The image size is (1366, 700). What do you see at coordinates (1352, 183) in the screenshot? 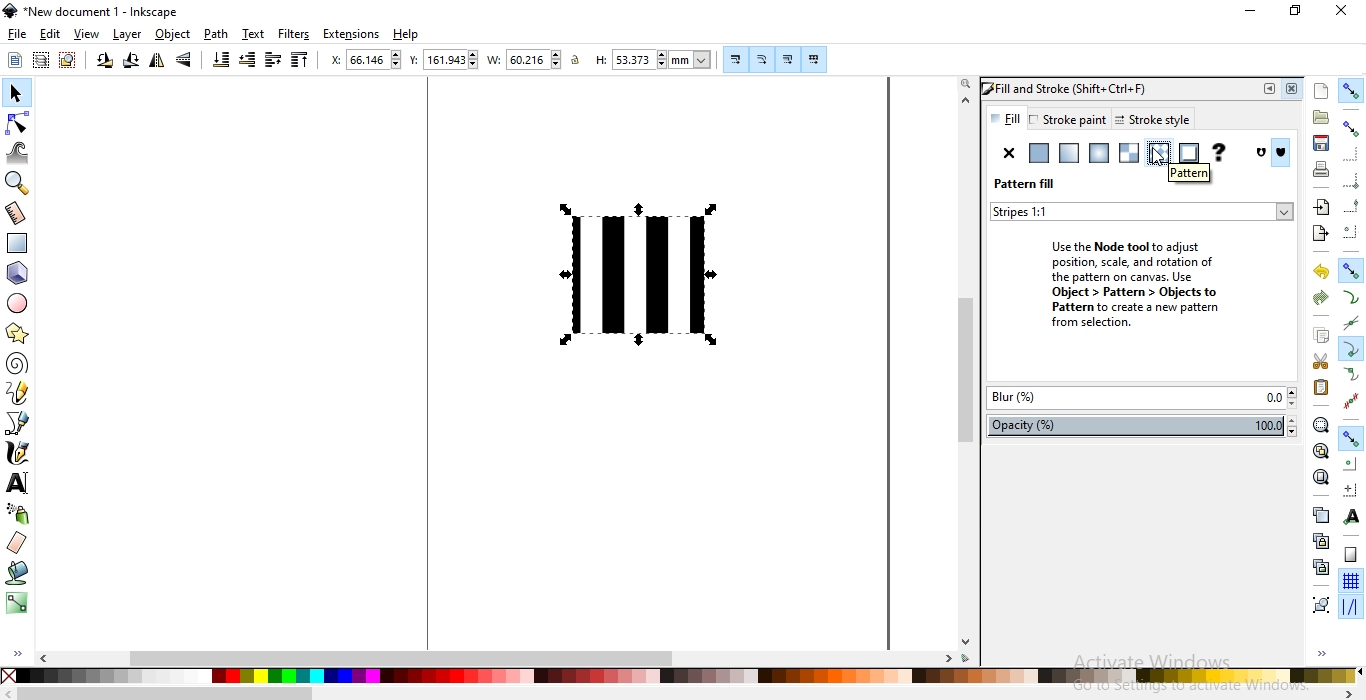
I see `snap bounding box corners` at bounding box center [1352, 183].